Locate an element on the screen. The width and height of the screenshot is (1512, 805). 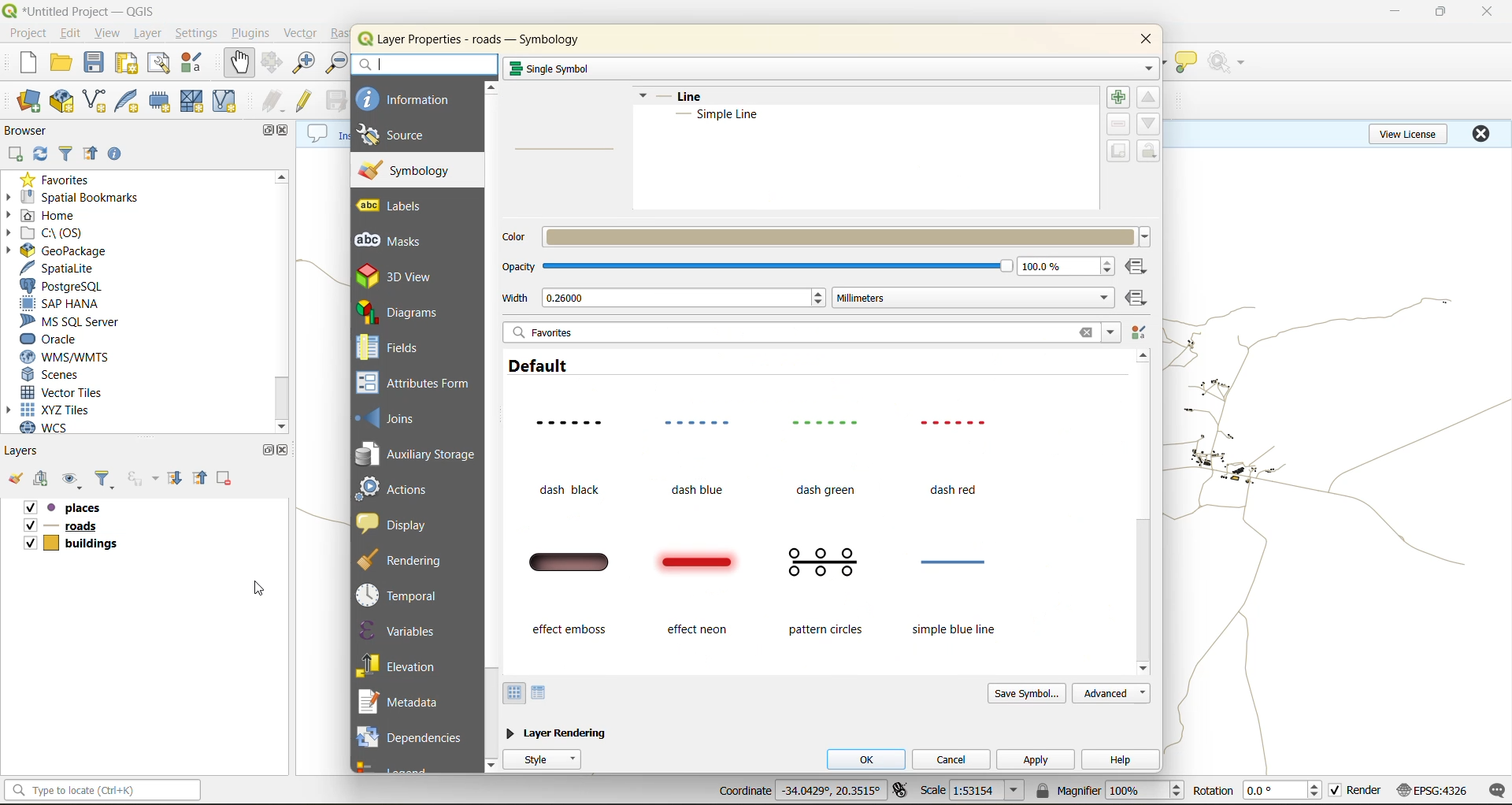
layer rendering is located at coordinates (561, 733).